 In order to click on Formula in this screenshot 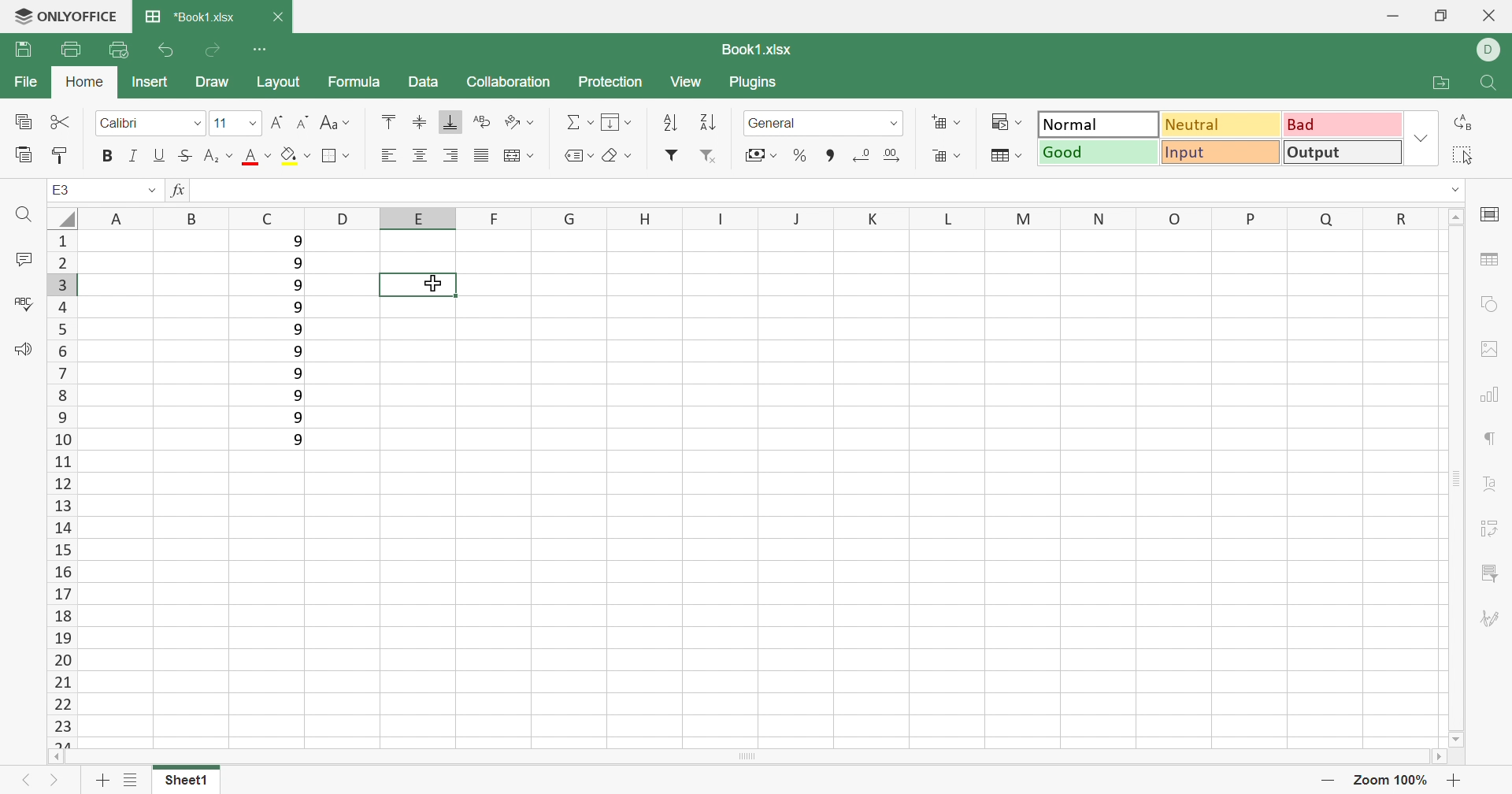, I will do `click(358, 86)`.